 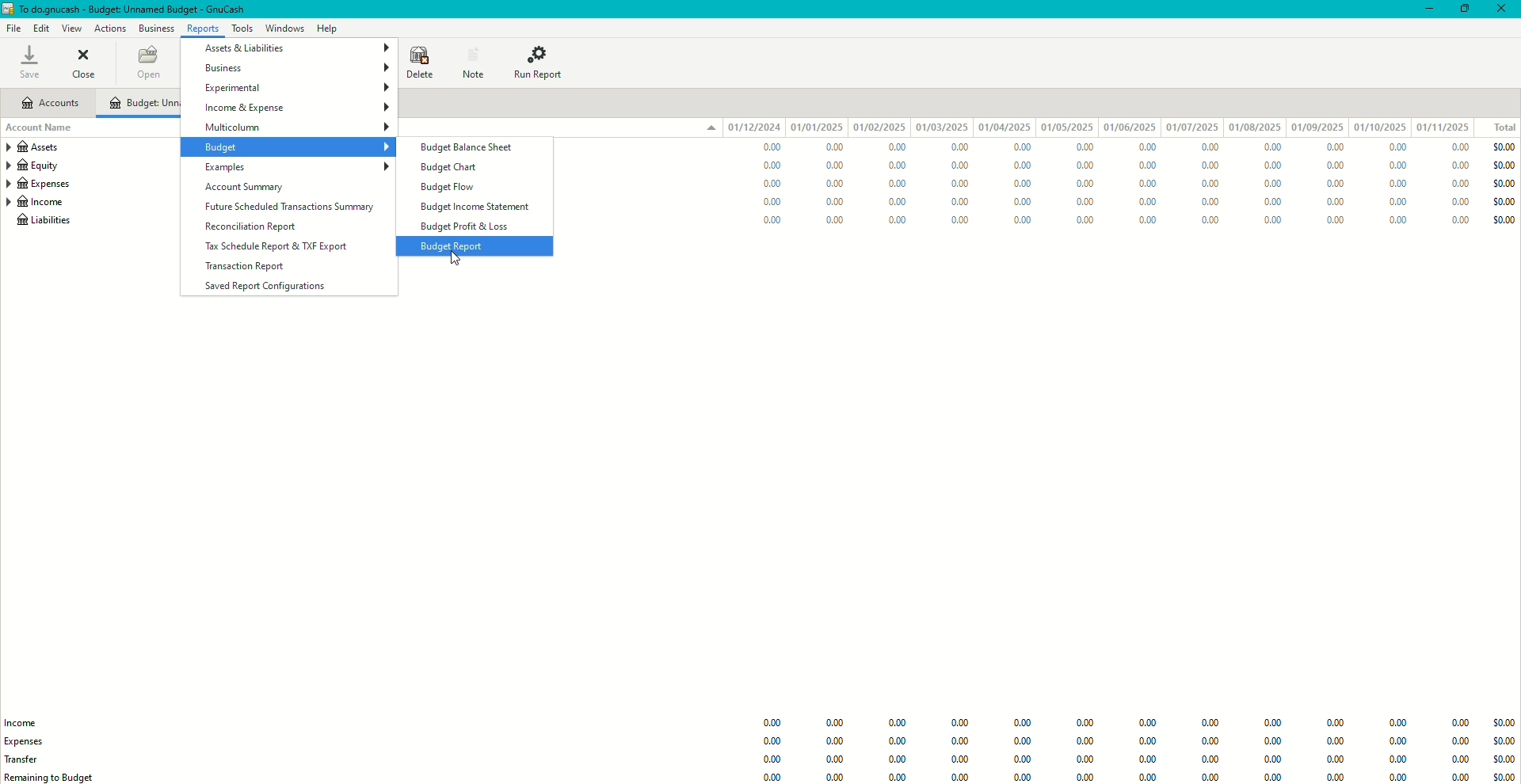 I want to click on Tax Schedule Report, so click(x=277, y=246).